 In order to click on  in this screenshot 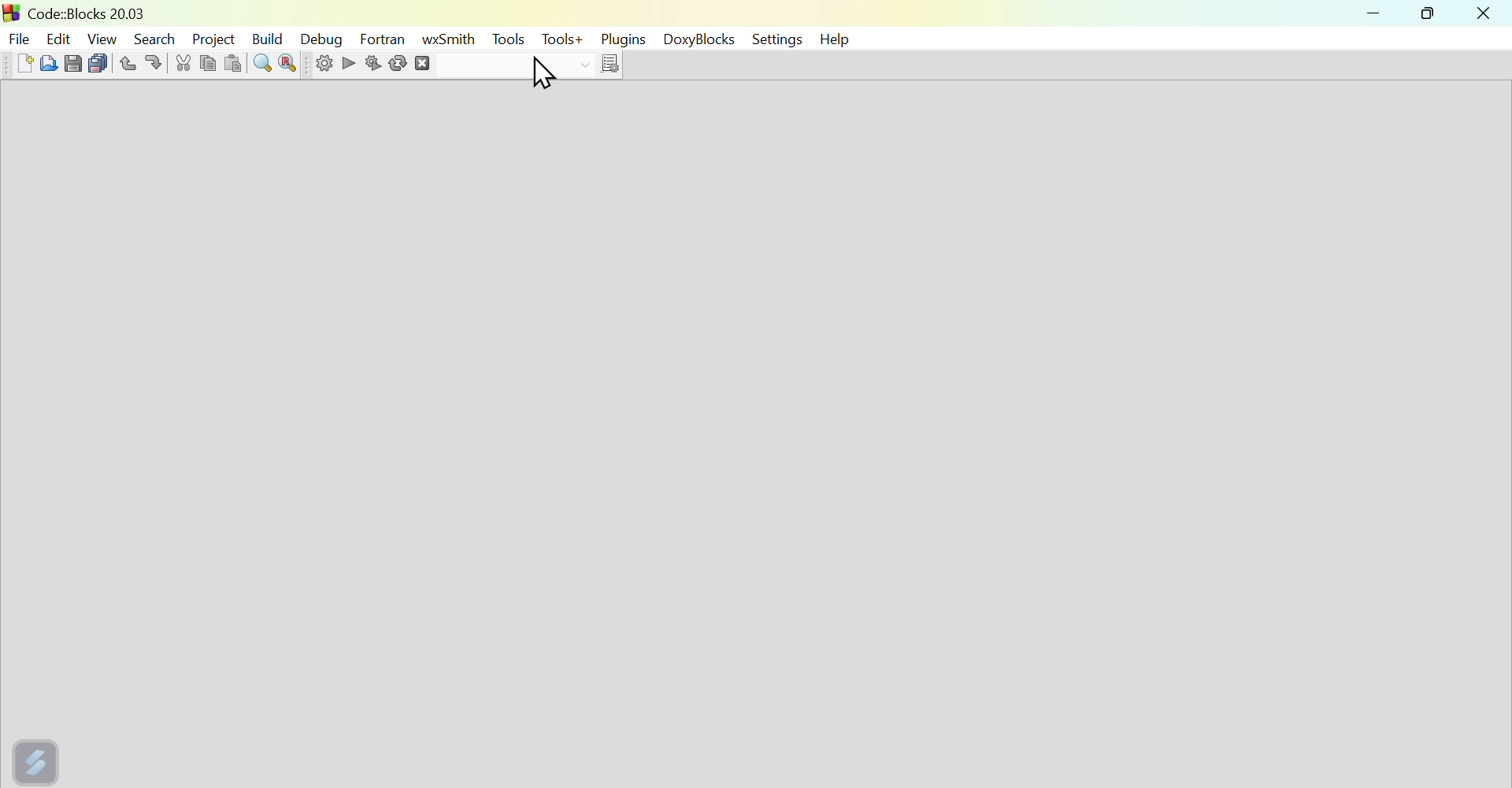, I will do `click(236, 62)`.